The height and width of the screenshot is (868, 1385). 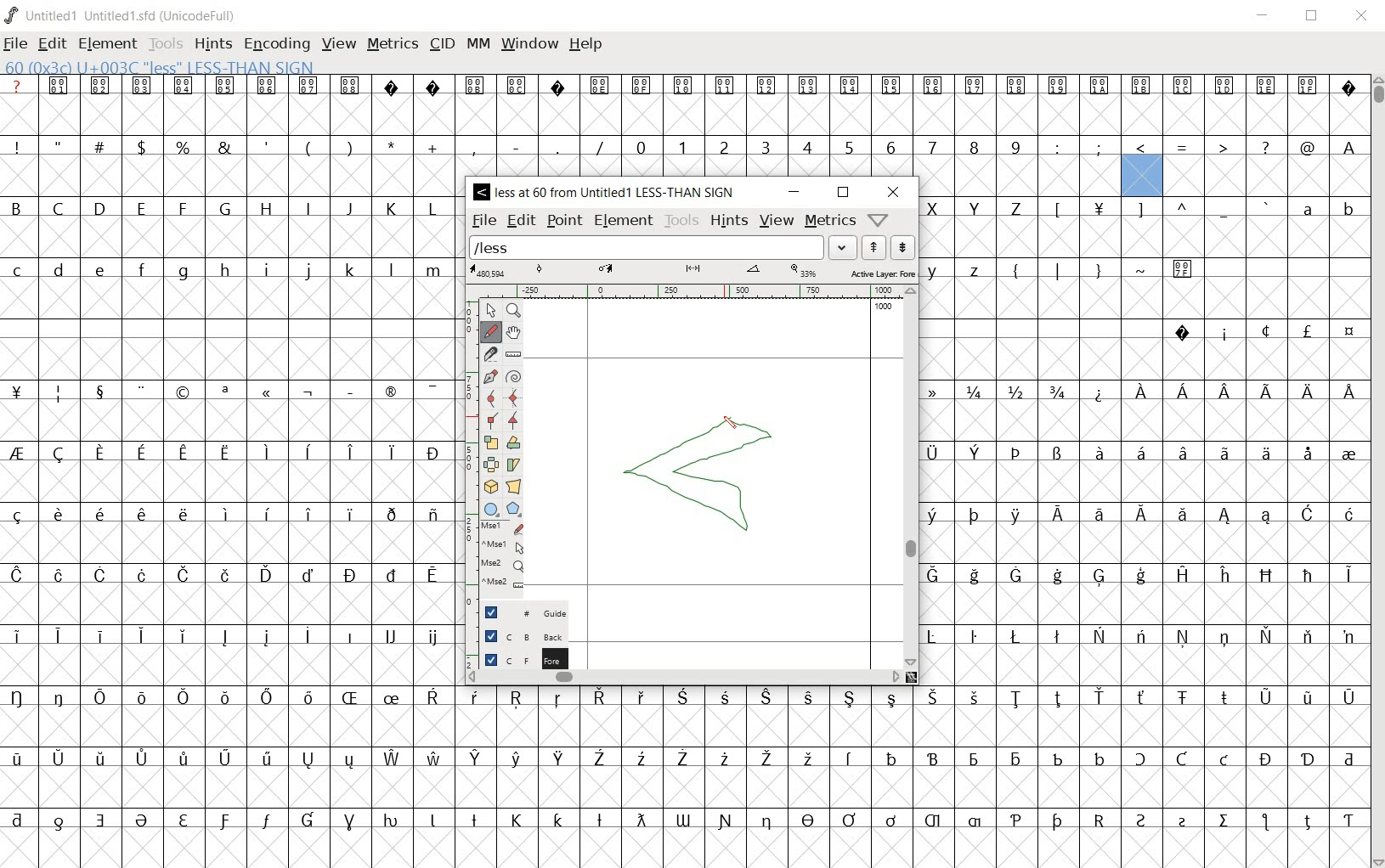 What do you see at coordinates (1143, 301) in the screenshot?
I see `` at bounding box center [1143, 301].